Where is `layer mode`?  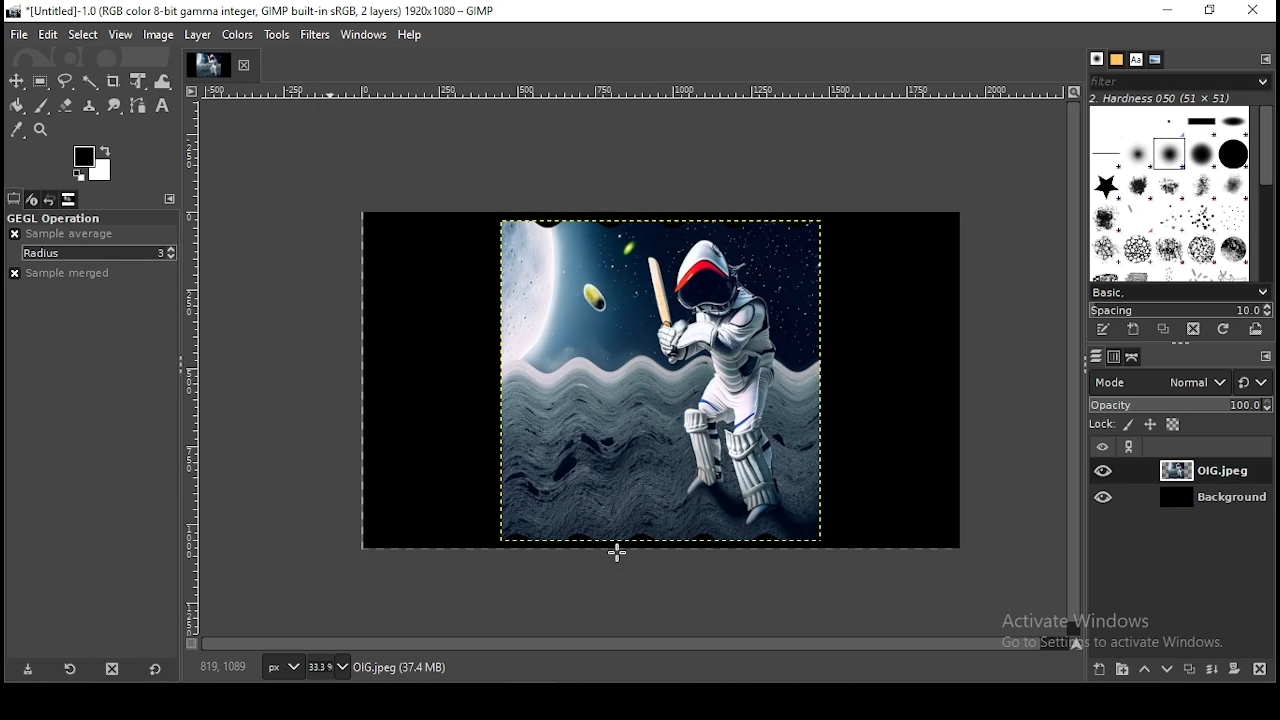 layer mode is located at coordinates (1160, 382).